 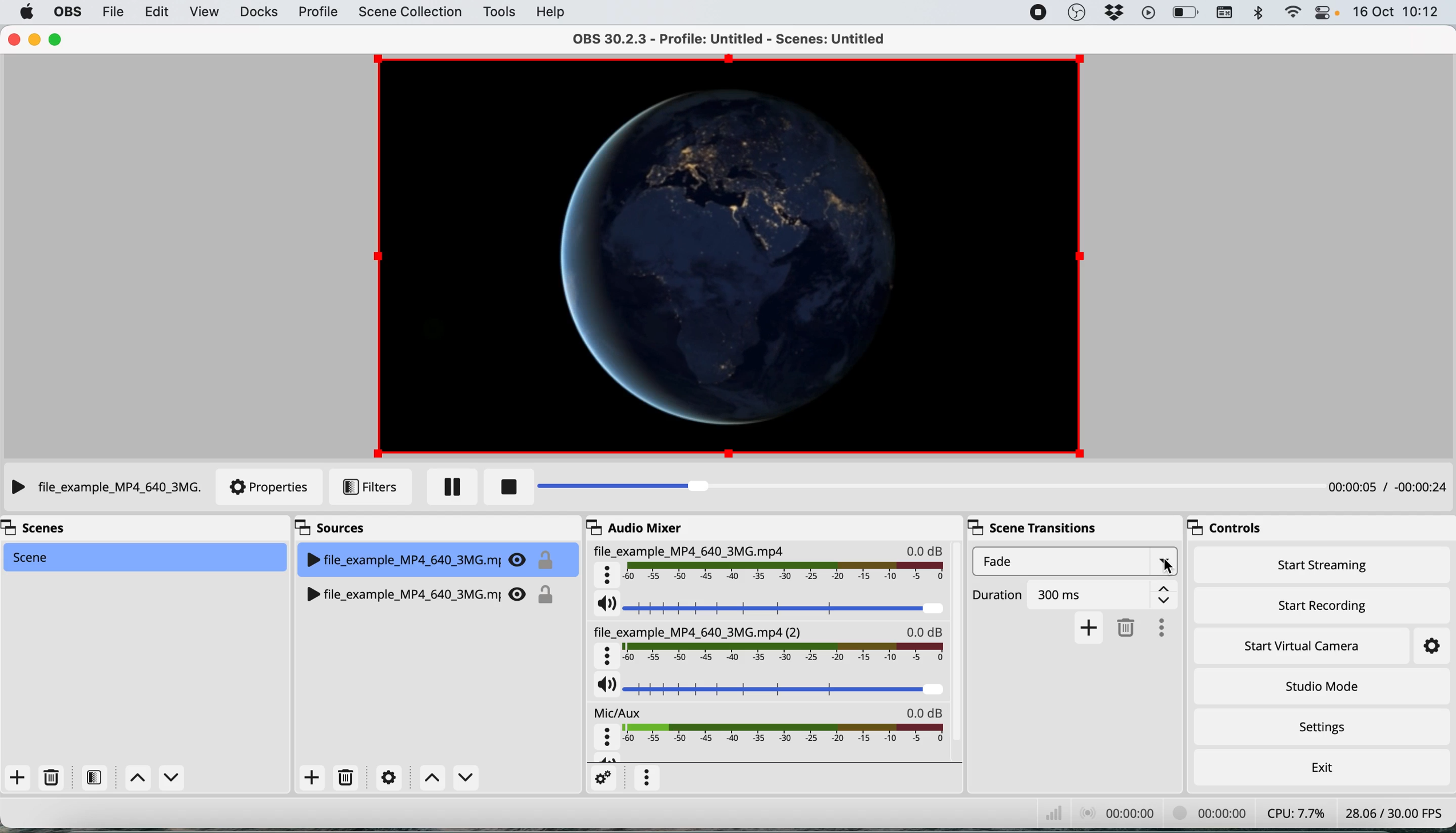 What do you see at coordinates (1323, 769) in the screenshot?
I see `exit` at bounding box center [1323, 769].